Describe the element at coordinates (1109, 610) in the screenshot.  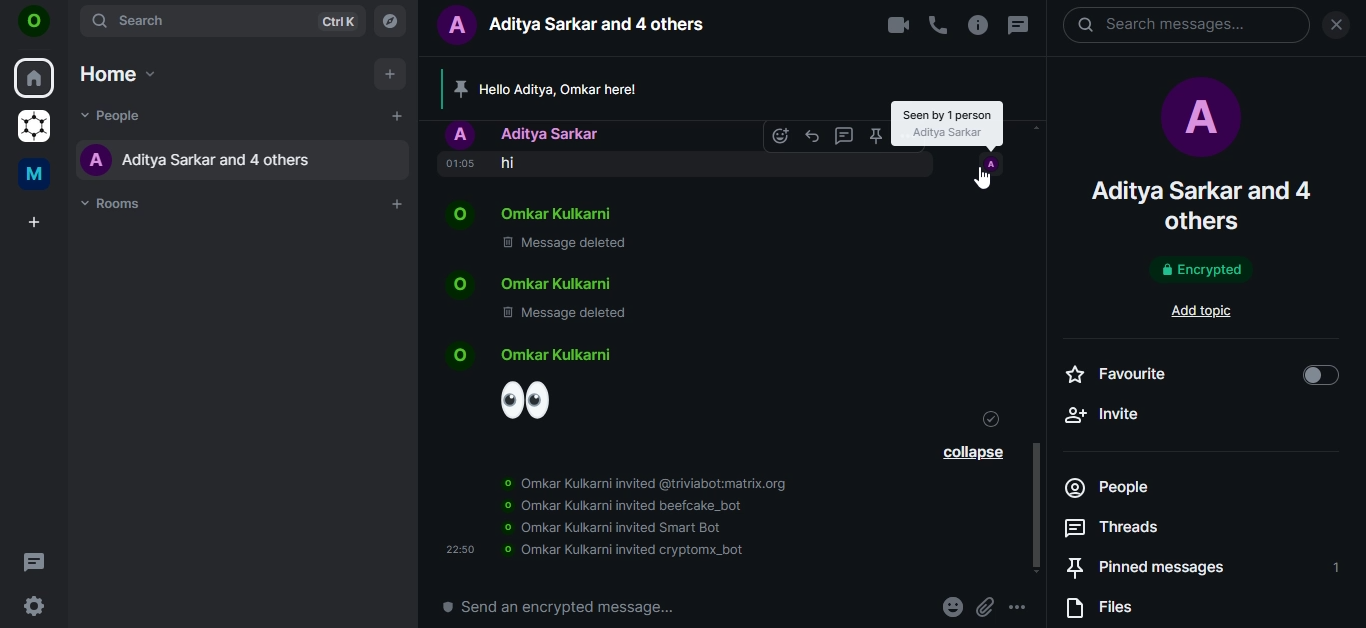
I see `files` at that location.